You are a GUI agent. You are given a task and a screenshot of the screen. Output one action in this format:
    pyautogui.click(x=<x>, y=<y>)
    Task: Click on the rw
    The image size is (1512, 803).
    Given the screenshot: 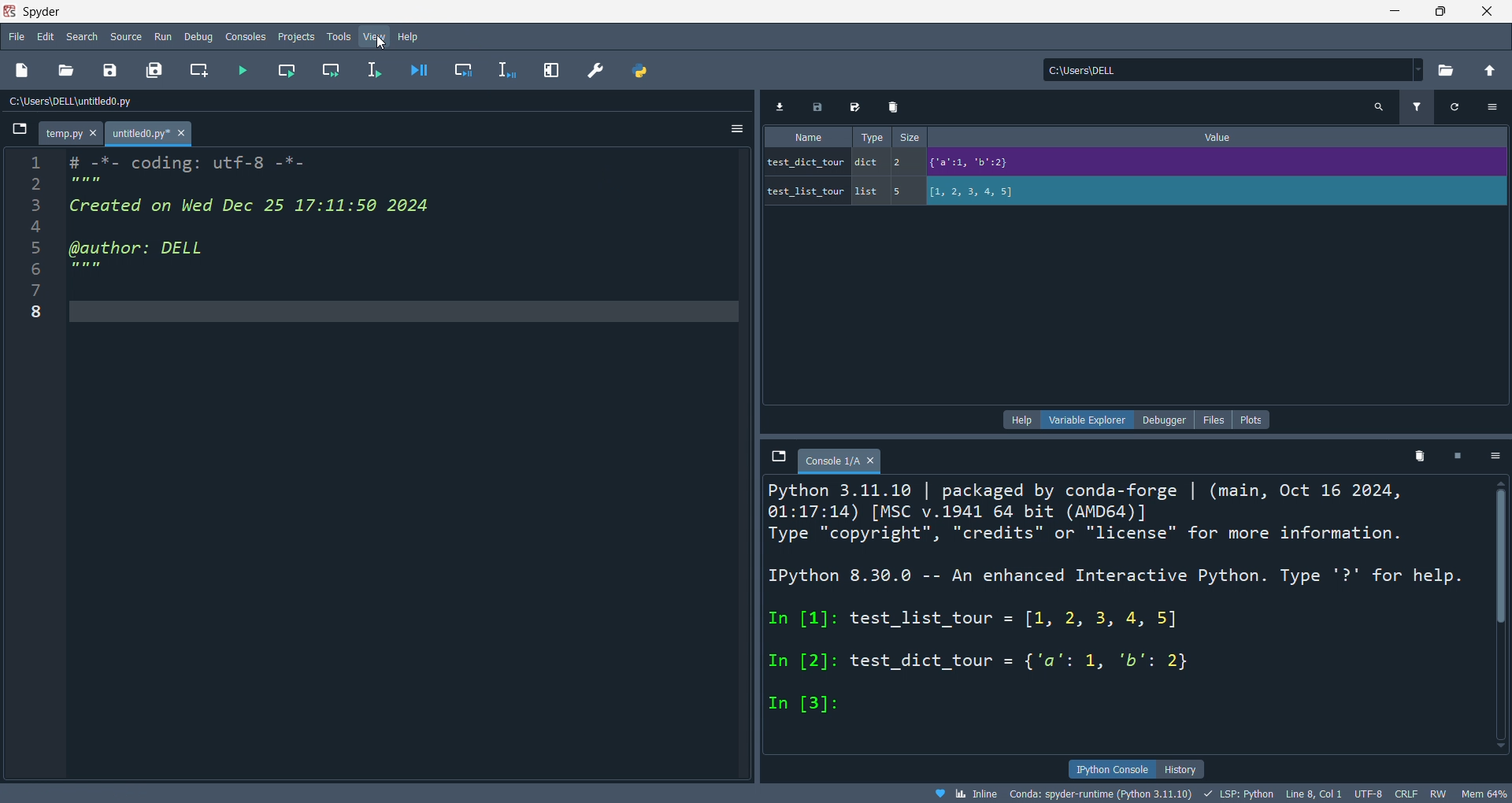 What is the action you would take?
    pyautogui.click(x=1436, y=795)
    